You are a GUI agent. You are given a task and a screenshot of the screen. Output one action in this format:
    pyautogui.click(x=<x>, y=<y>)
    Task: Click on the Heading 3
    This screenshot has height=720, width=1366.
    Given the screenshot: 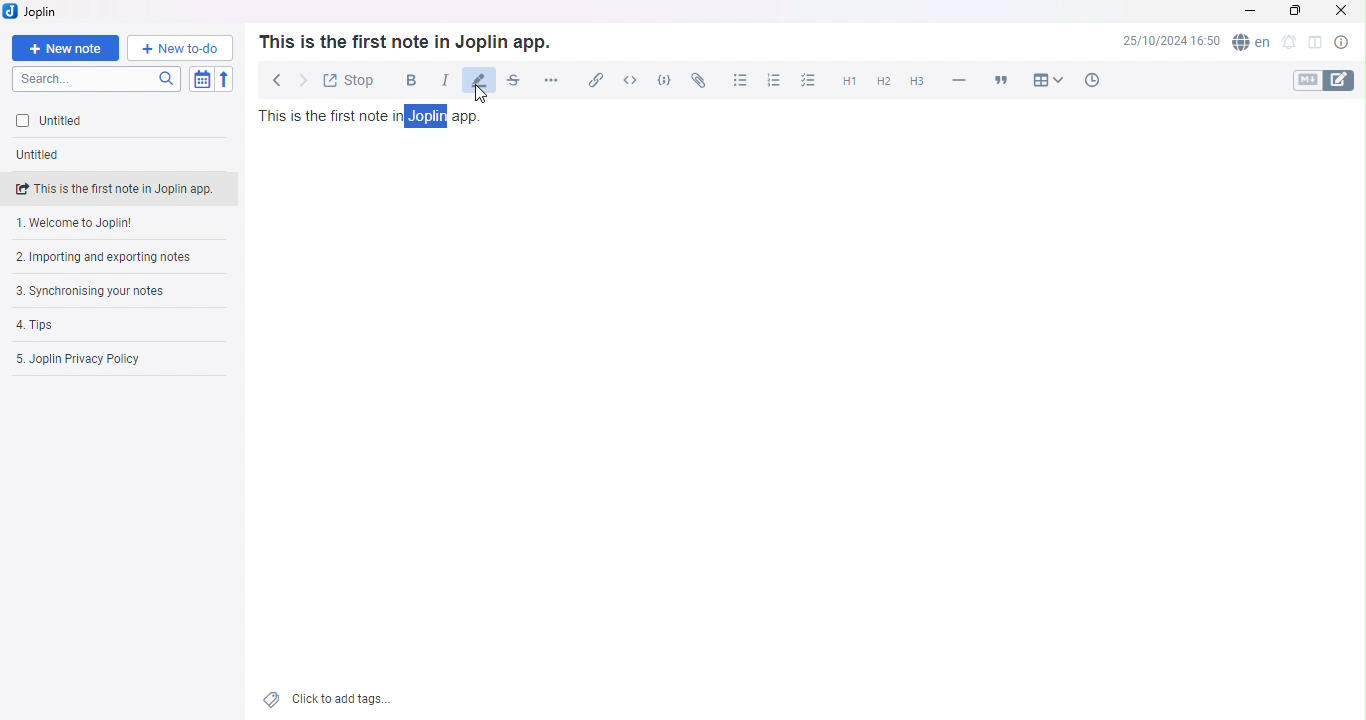 What is the action you would take?
    pyautogui.click(x=915, y=83)
    